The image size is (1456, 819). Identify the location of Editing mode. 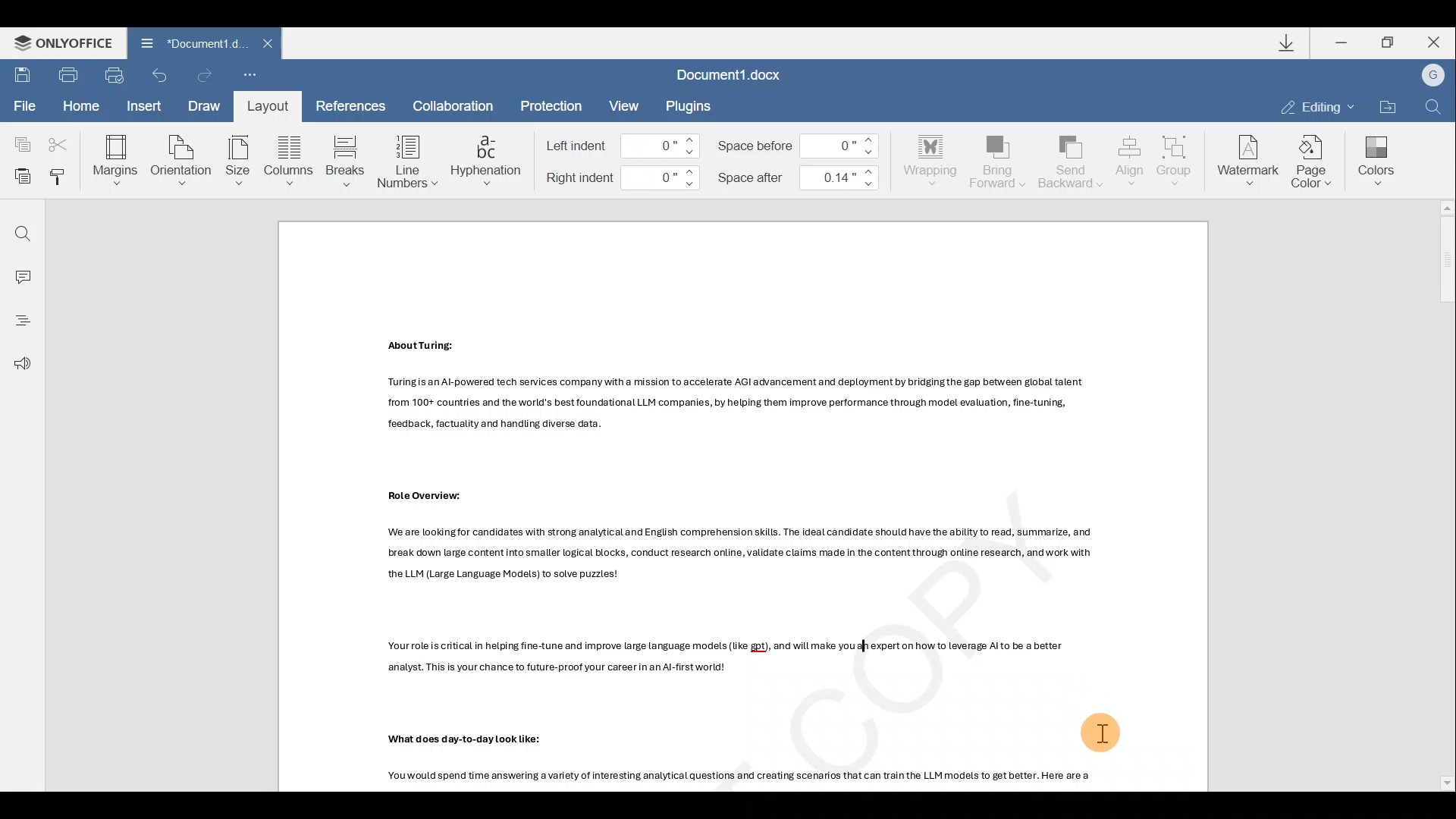
(1314, 105).